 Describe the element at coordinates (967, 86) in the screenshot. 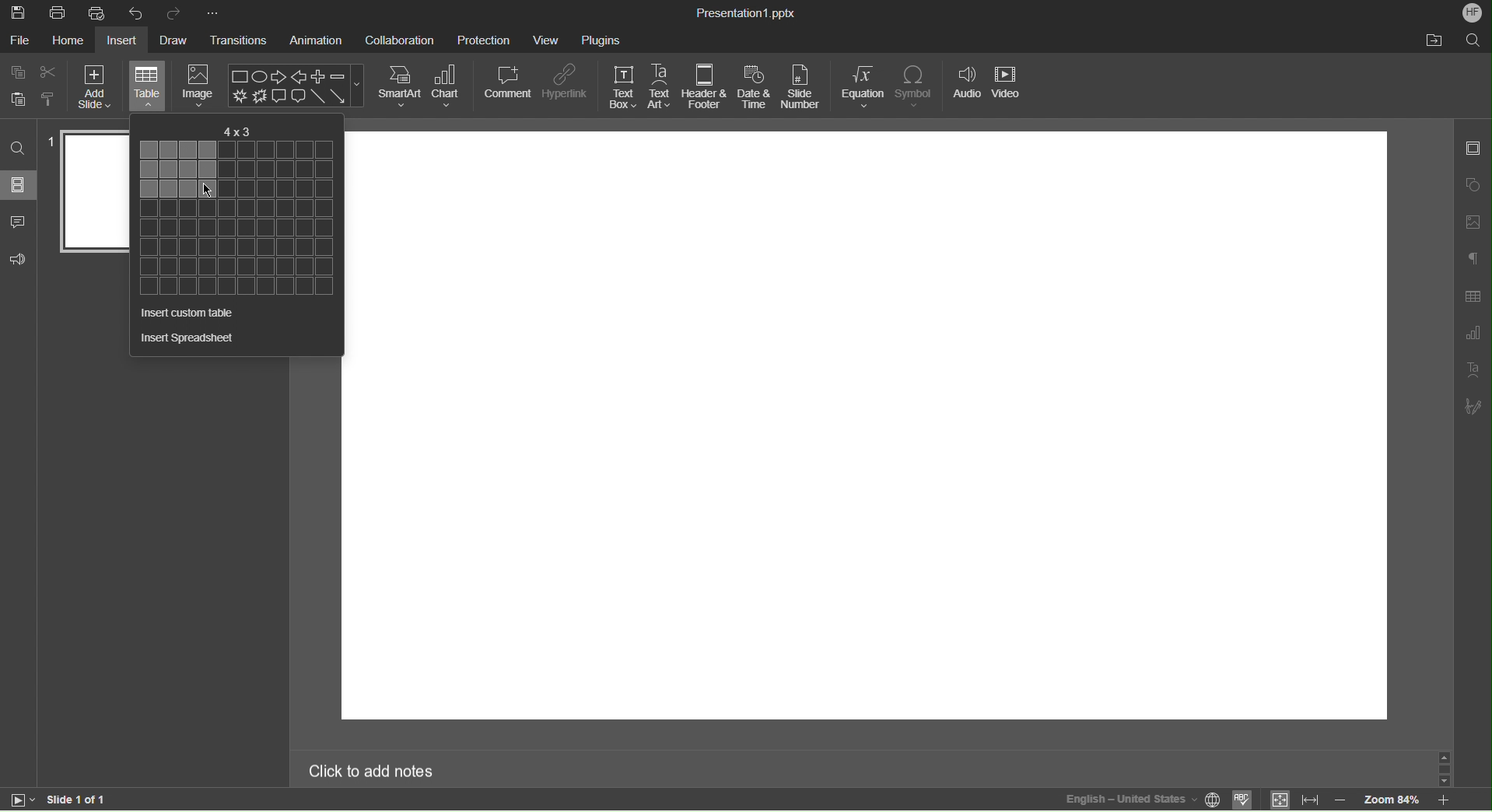

I see `Audio` at that location.